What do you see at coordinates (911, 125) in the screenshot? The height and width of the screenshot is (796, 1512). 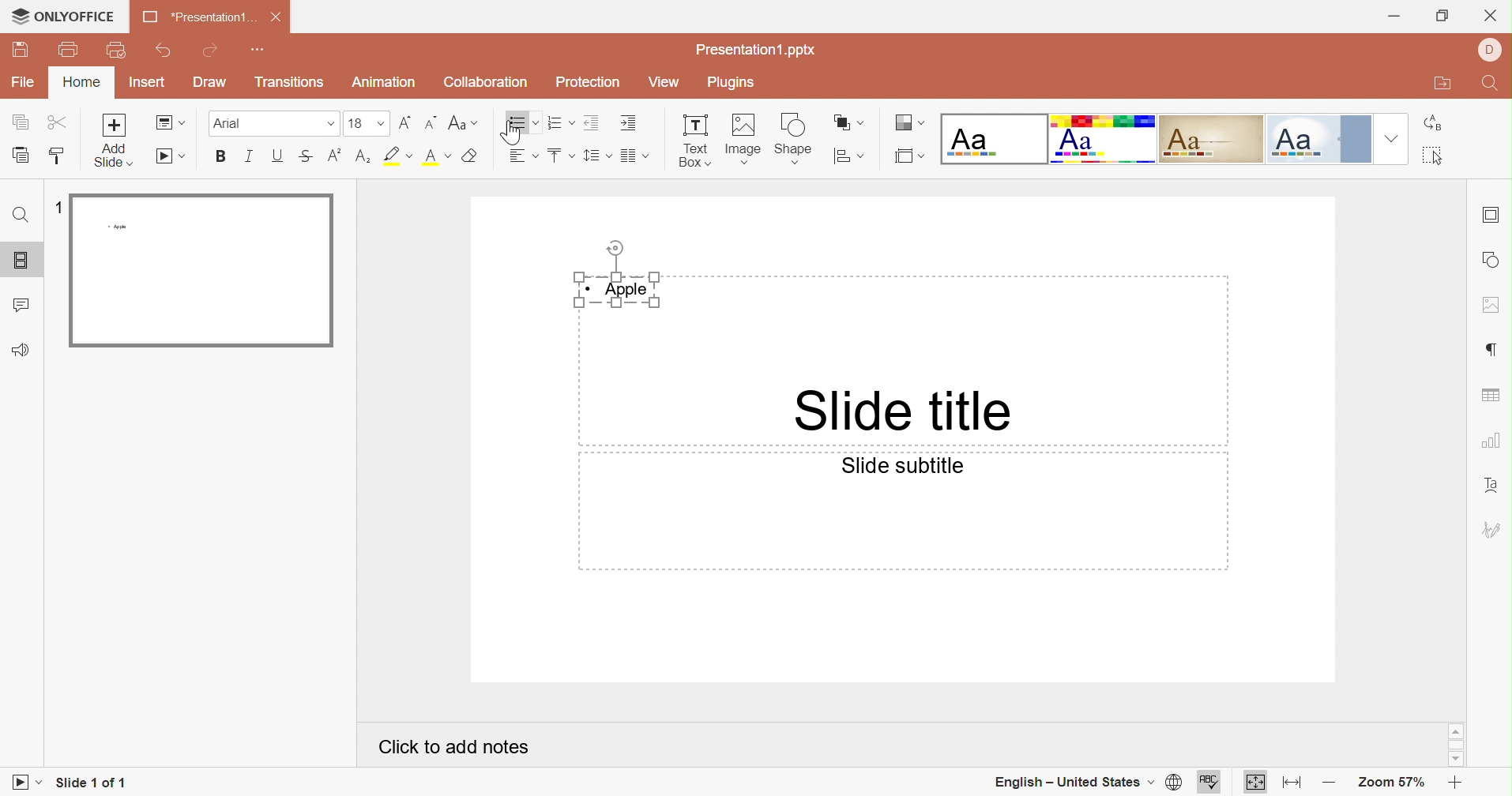 I see `Change color theme` at bounding box center [911, 125].